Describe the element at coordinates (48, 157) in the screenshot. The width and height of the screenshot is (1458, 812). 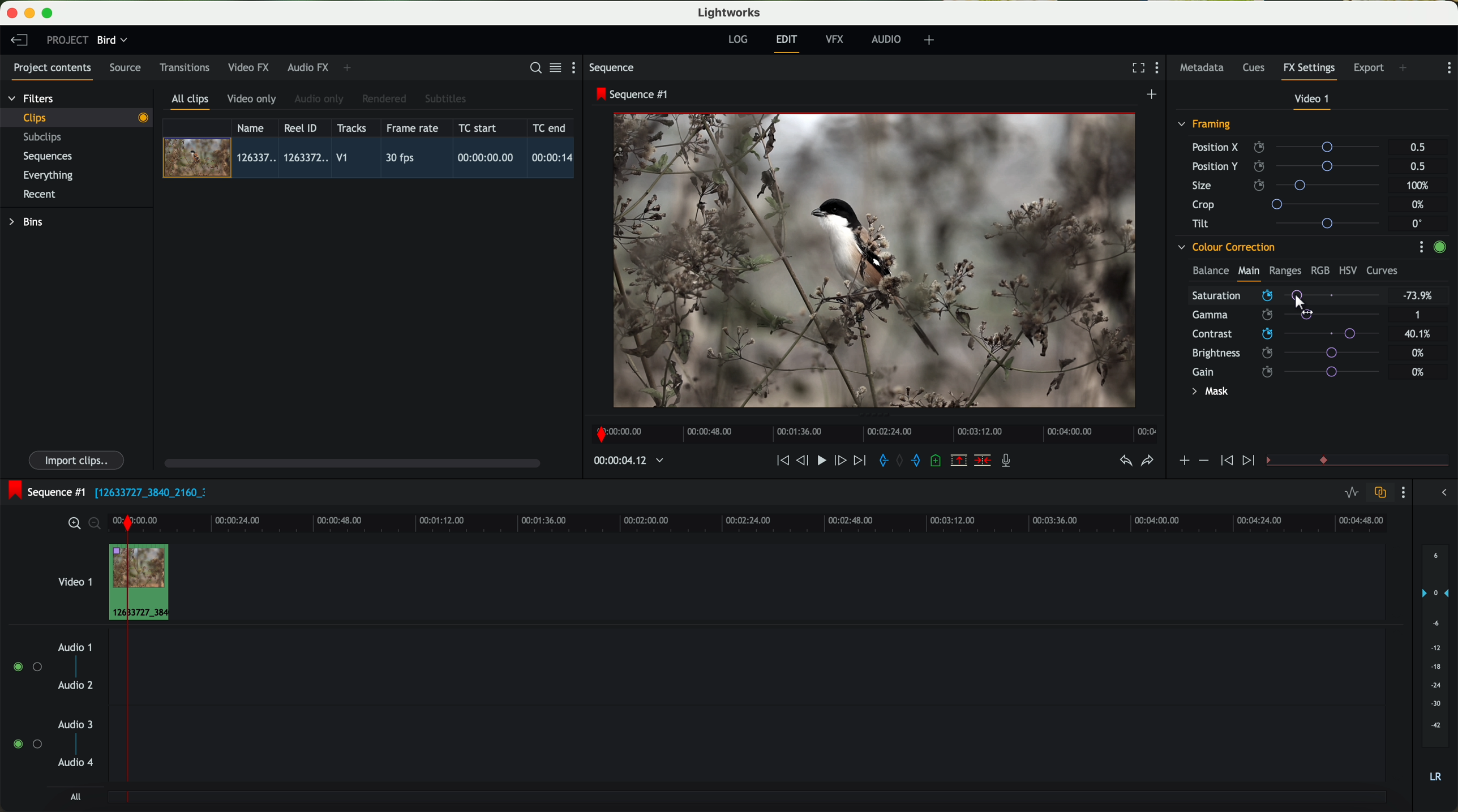
I see `sequences` at that location.